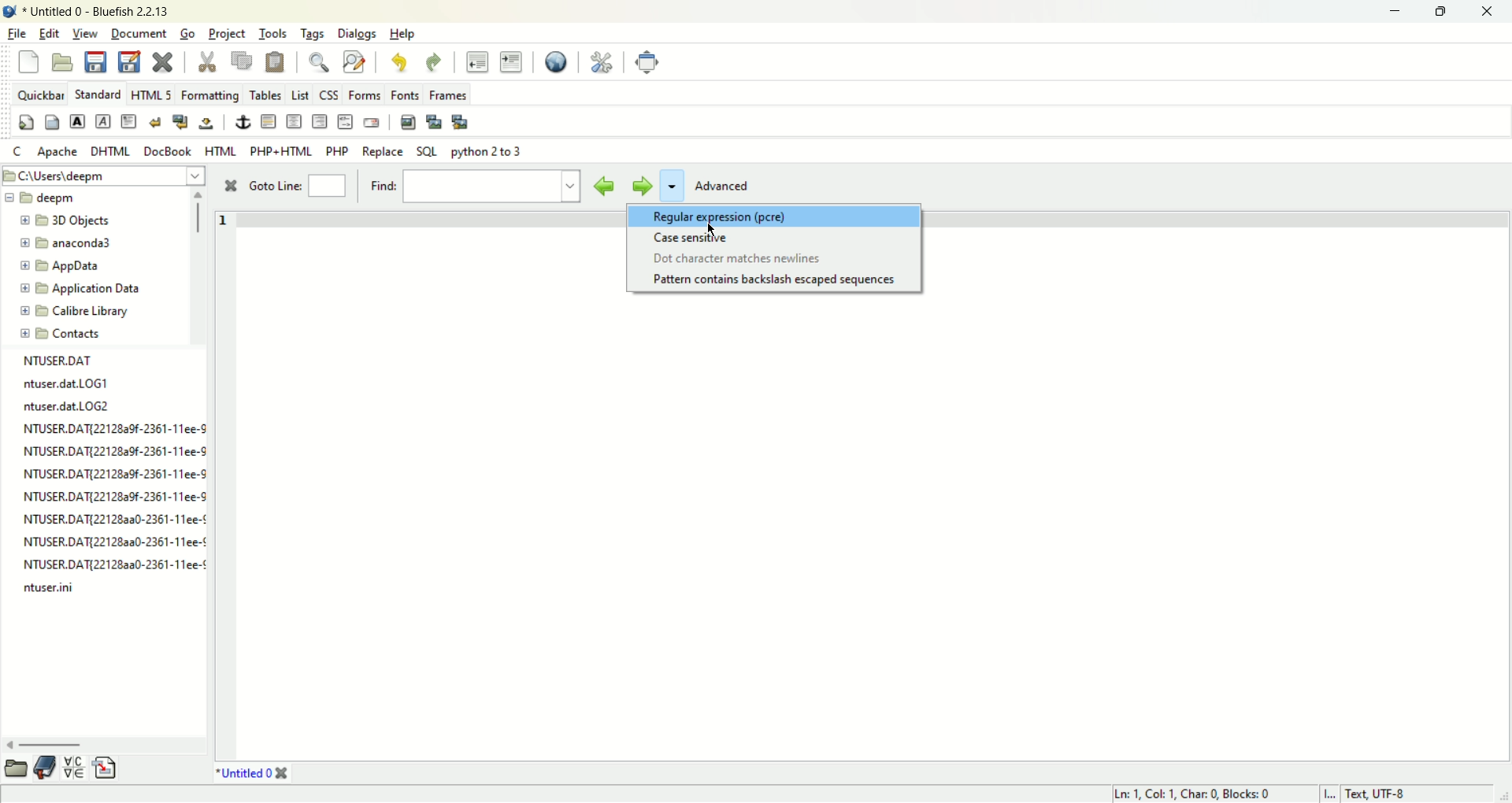 The height and width of the screenshot is (803, 1512). Describe the element at coordinates (282, 151) in the screenshot. I see `PHP+HTML` at that location.